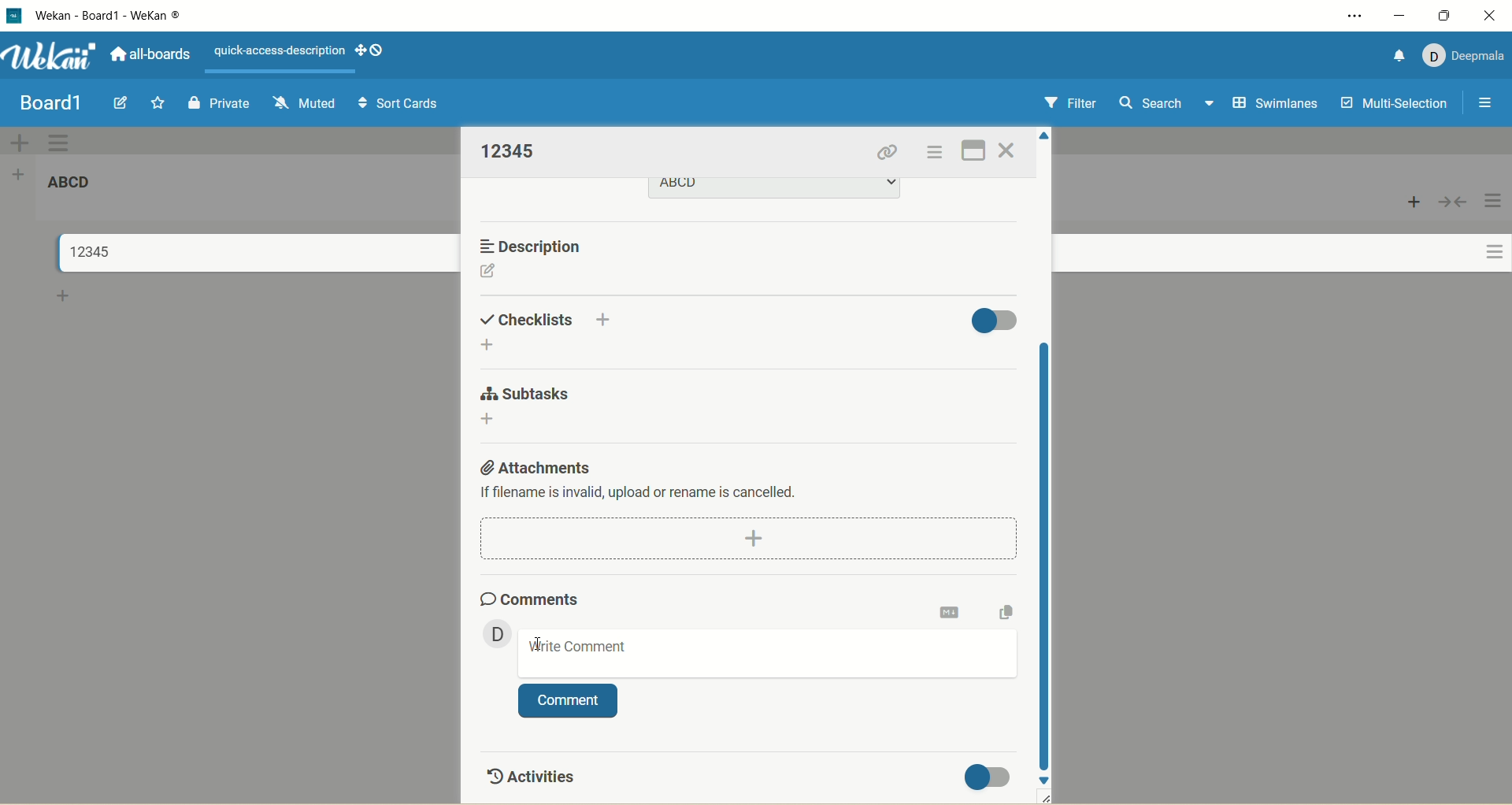 The image size is (1512, 805). Describe the element at coordinates (533, 465) in the screenshot. I see `attachments` at that location.